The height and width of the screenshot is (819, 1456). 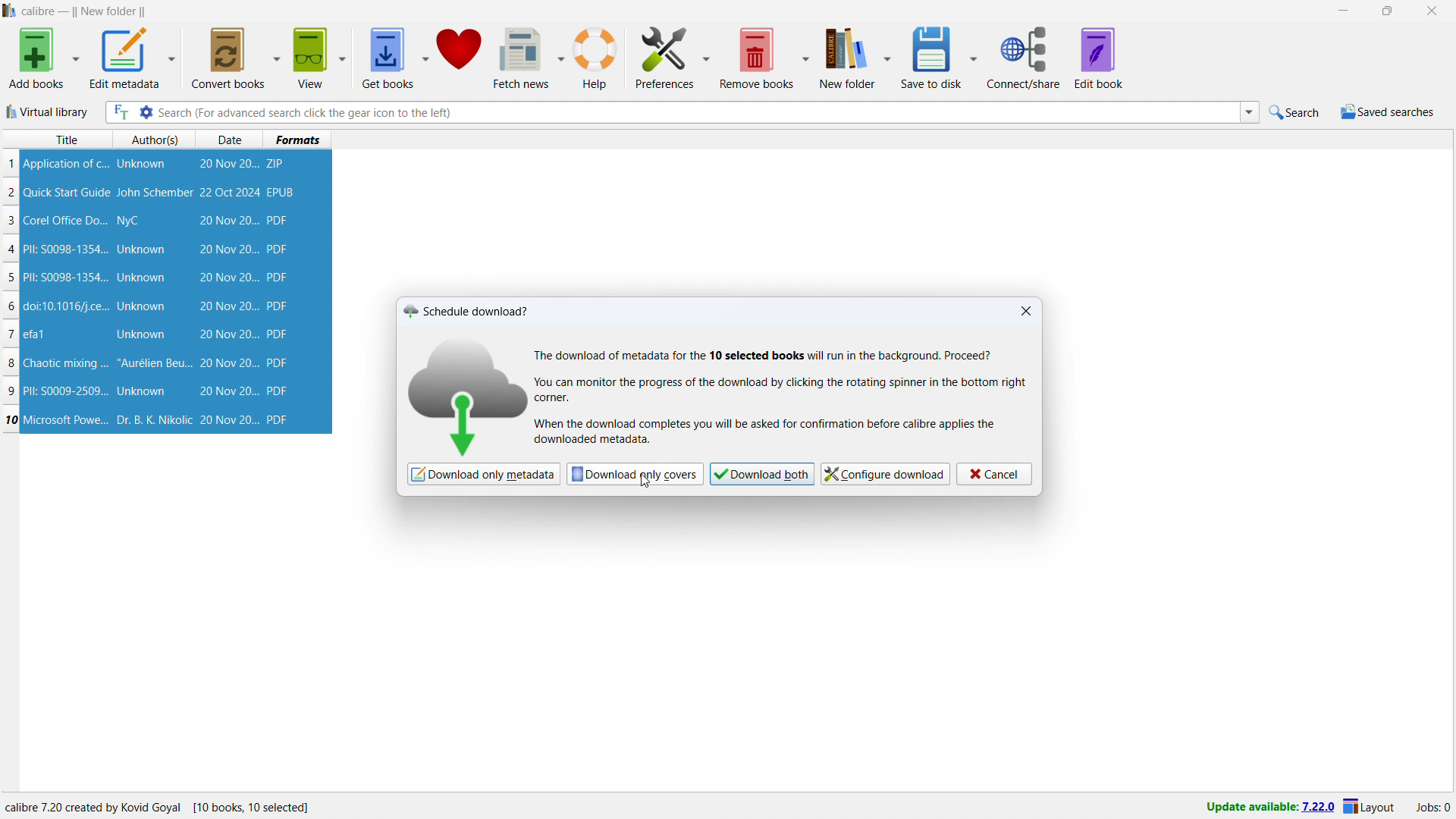 I want to click on John Schember, so click(x=155, y=193).